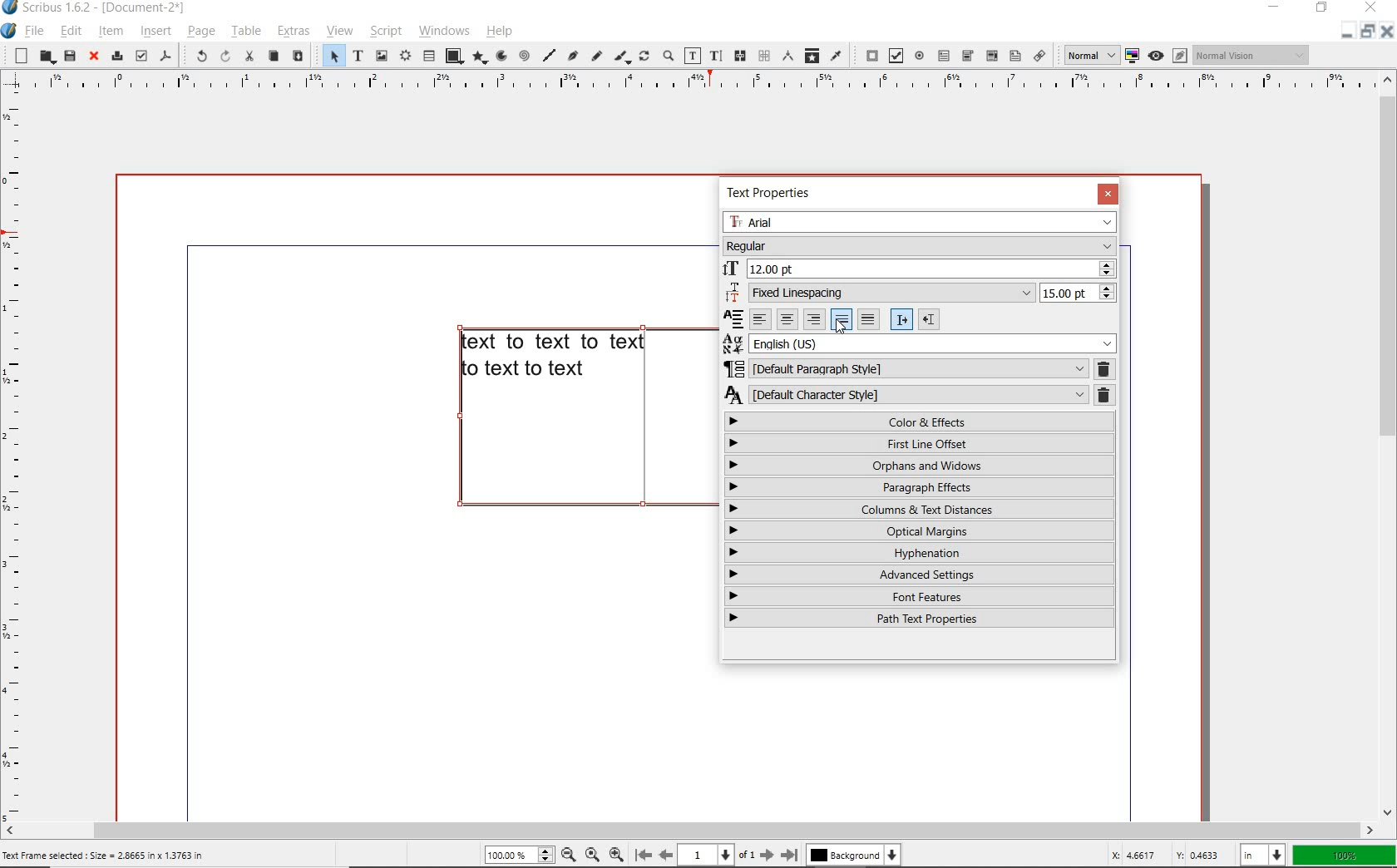 The width and height of the screenshot is (1397, 868). What do you see at coordinates (893, 55) in the screenshot?
I see `pdf check box` at bounding box center [893, 55].